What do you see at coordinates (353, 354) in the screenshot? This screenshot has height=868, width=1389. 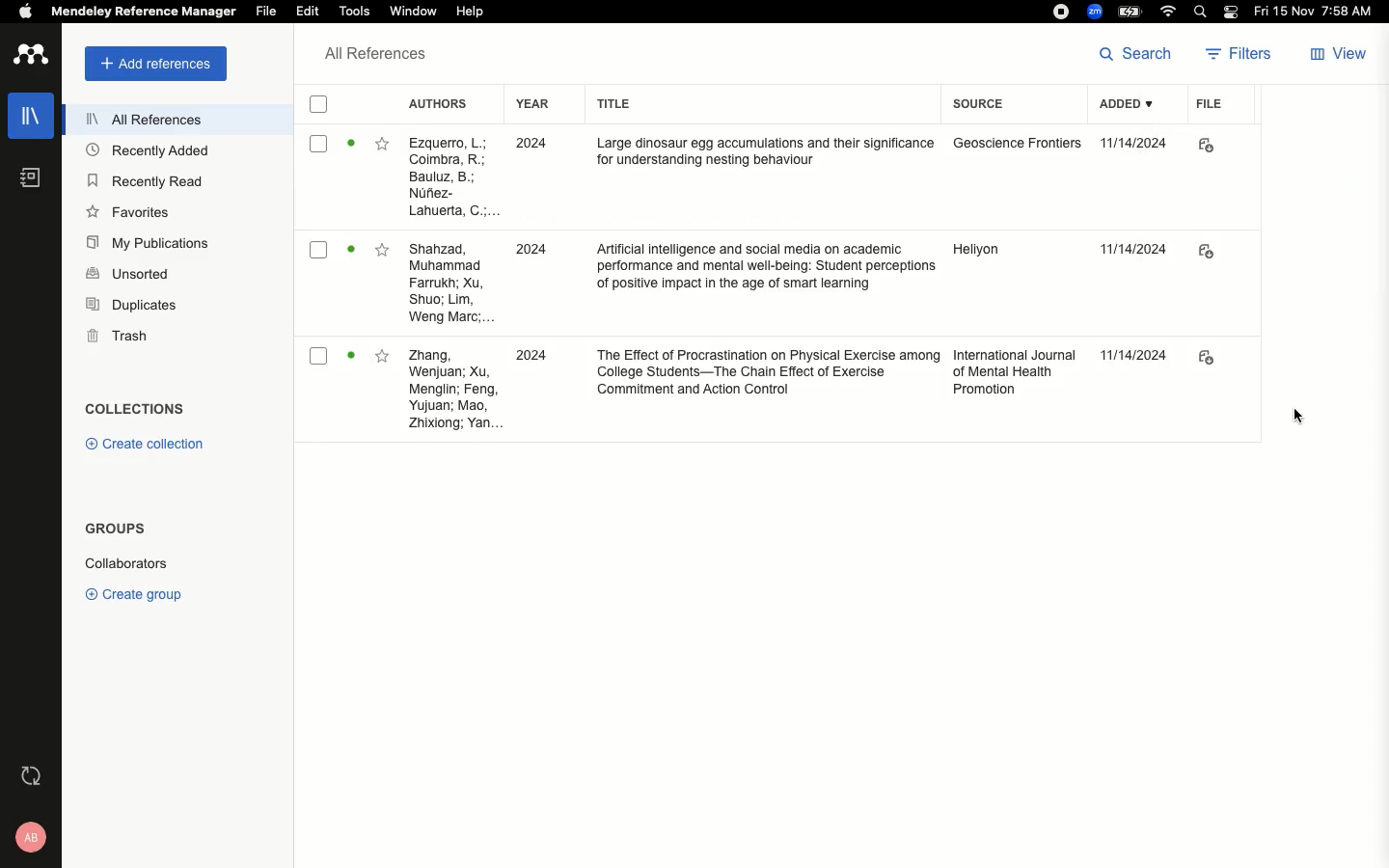 I see `Active` at bounding box center [353, 354].